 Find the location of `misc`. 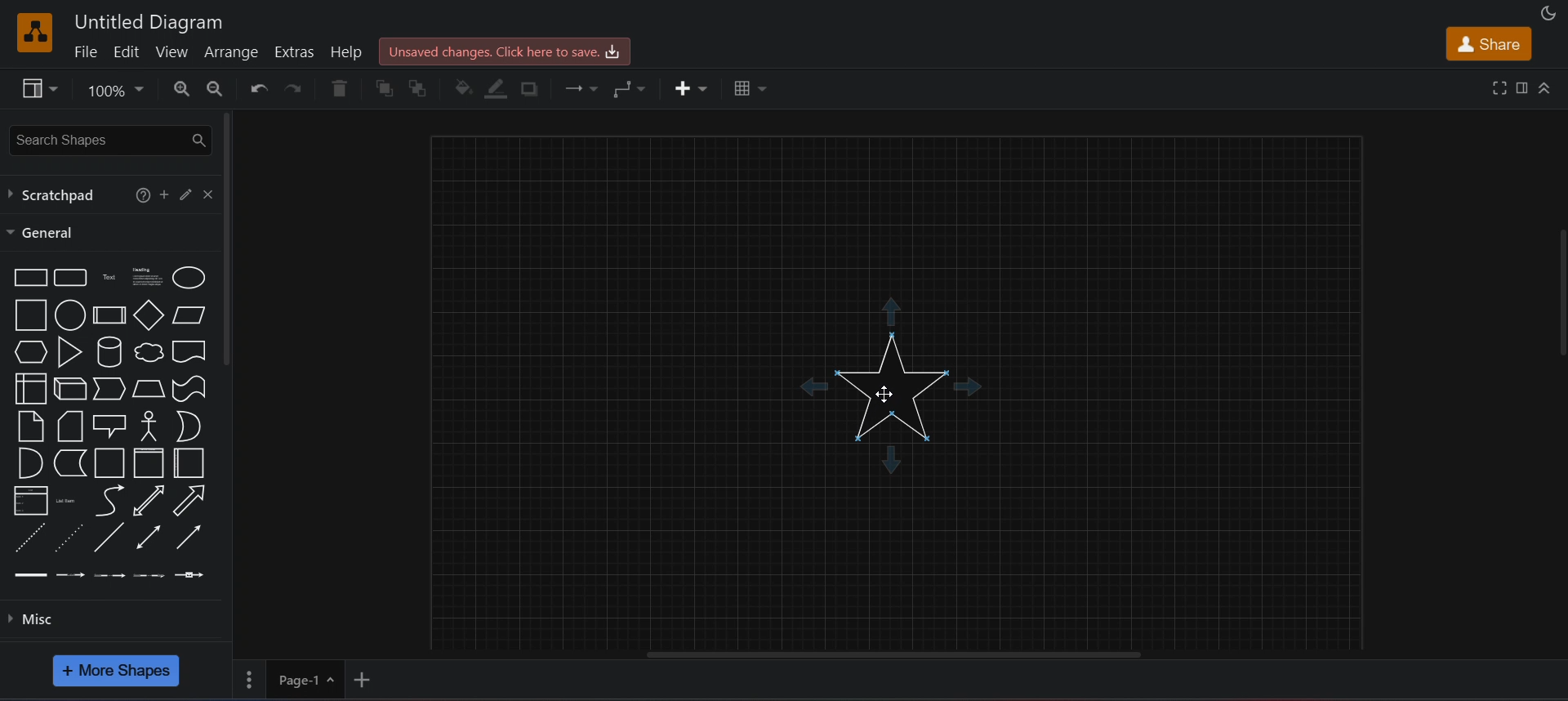

misc is located at coordinates (114, 621).